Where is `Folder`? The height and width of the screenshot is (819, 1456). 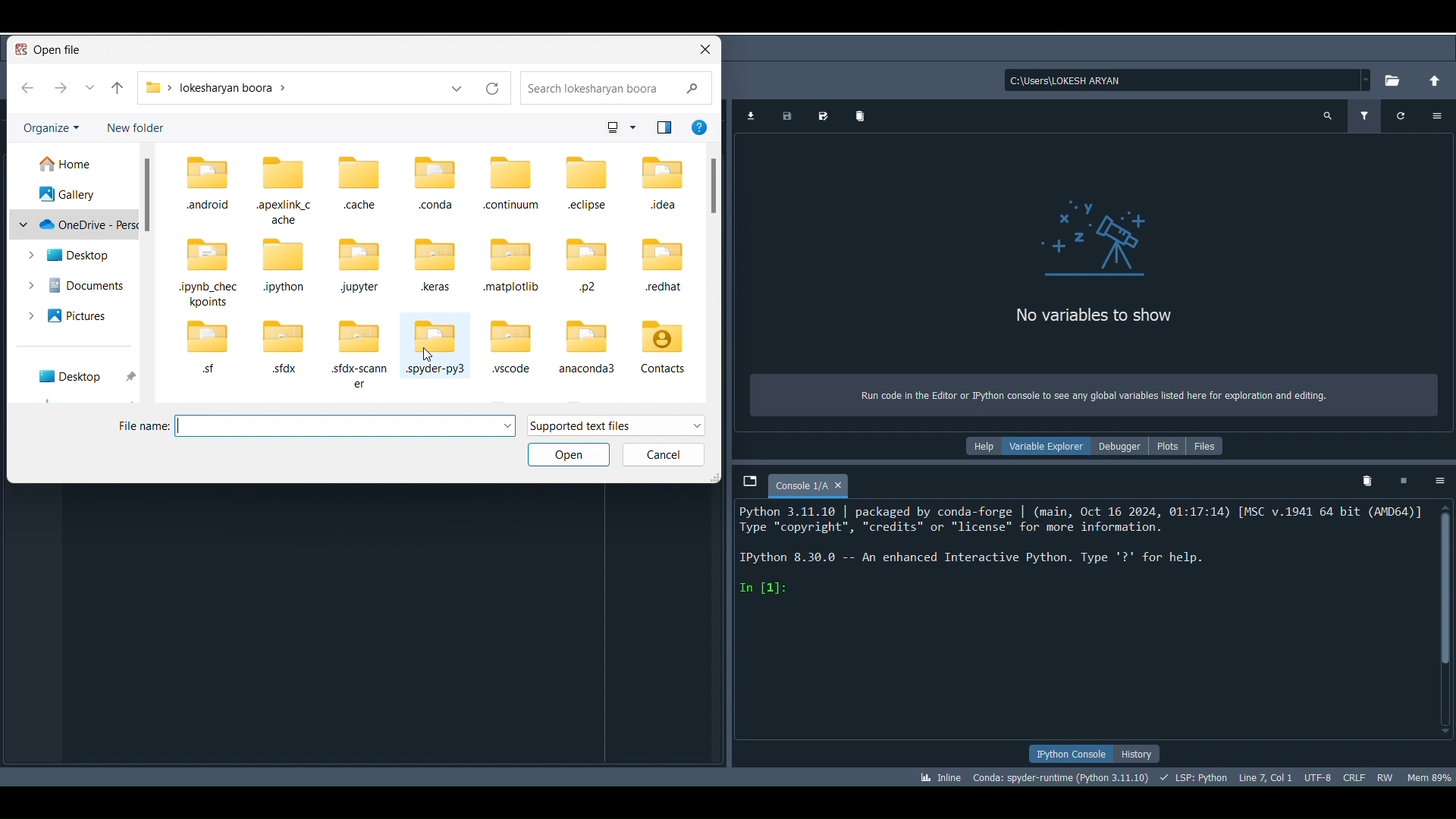 Folder is located at coordinates (512, 350).